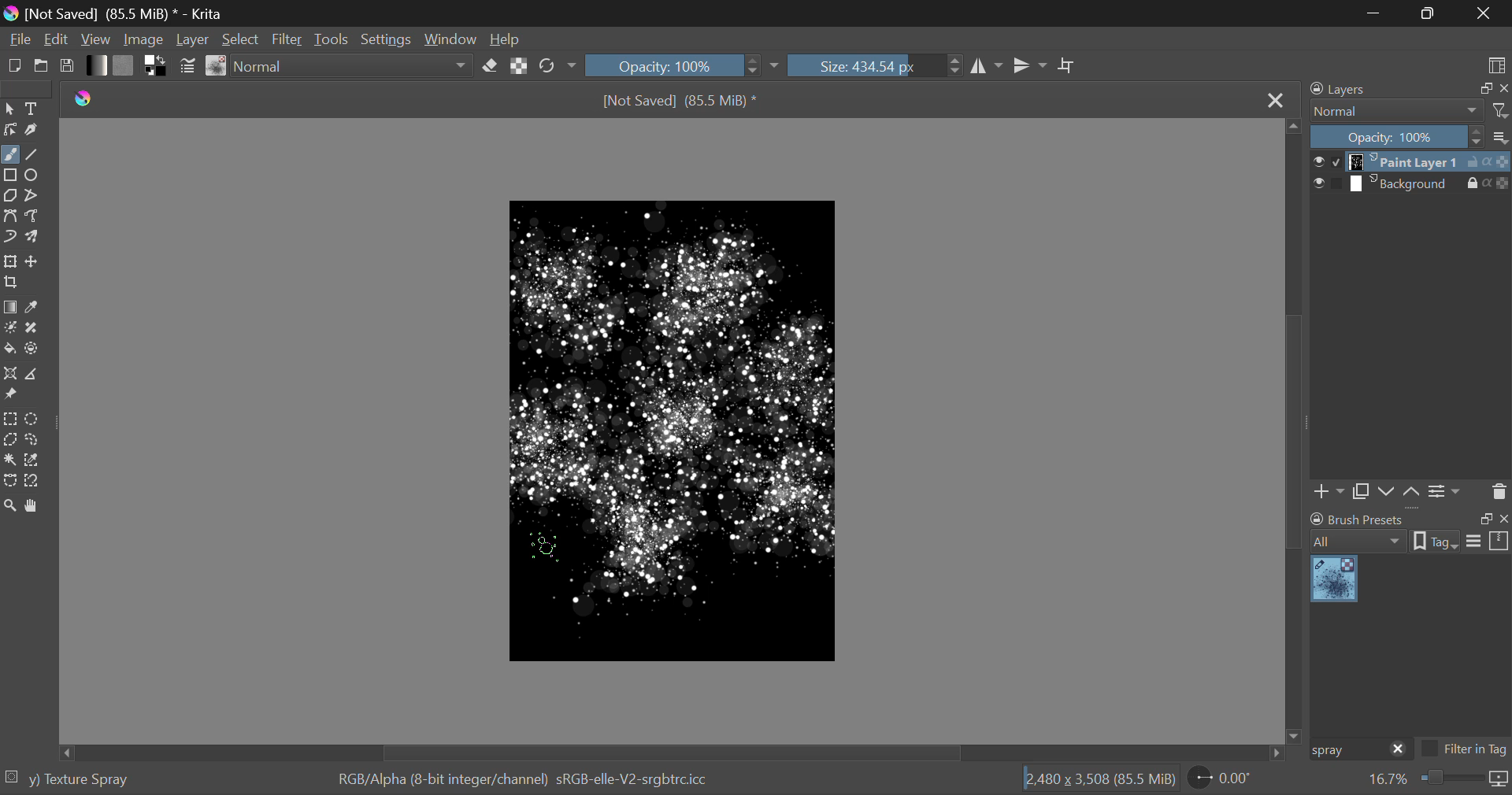  I want to click on Help, so click(506, 36).